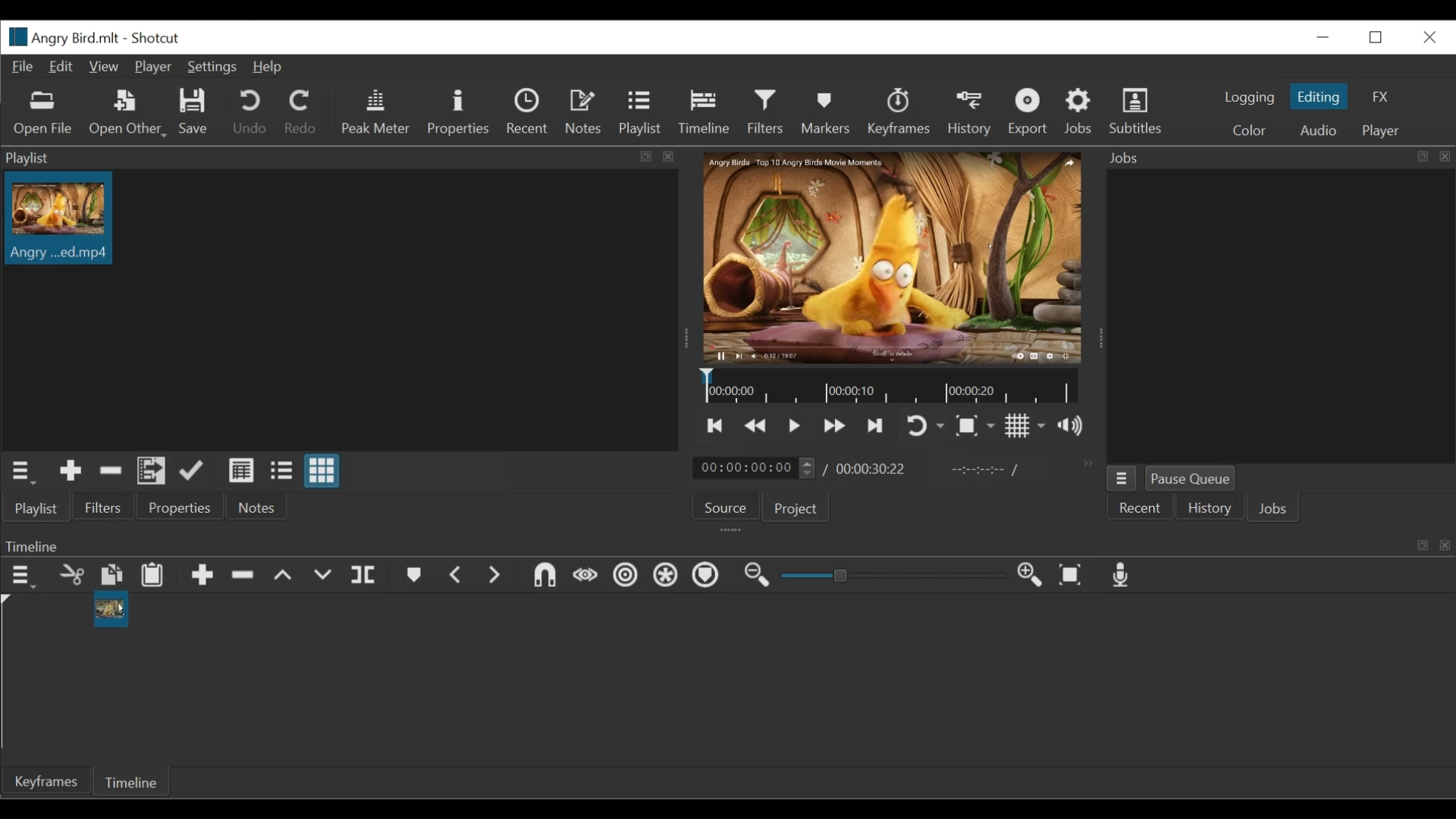 The width and height of the screenshot is (1456, 819). I want to click on Jobs, so click(1276, 510).